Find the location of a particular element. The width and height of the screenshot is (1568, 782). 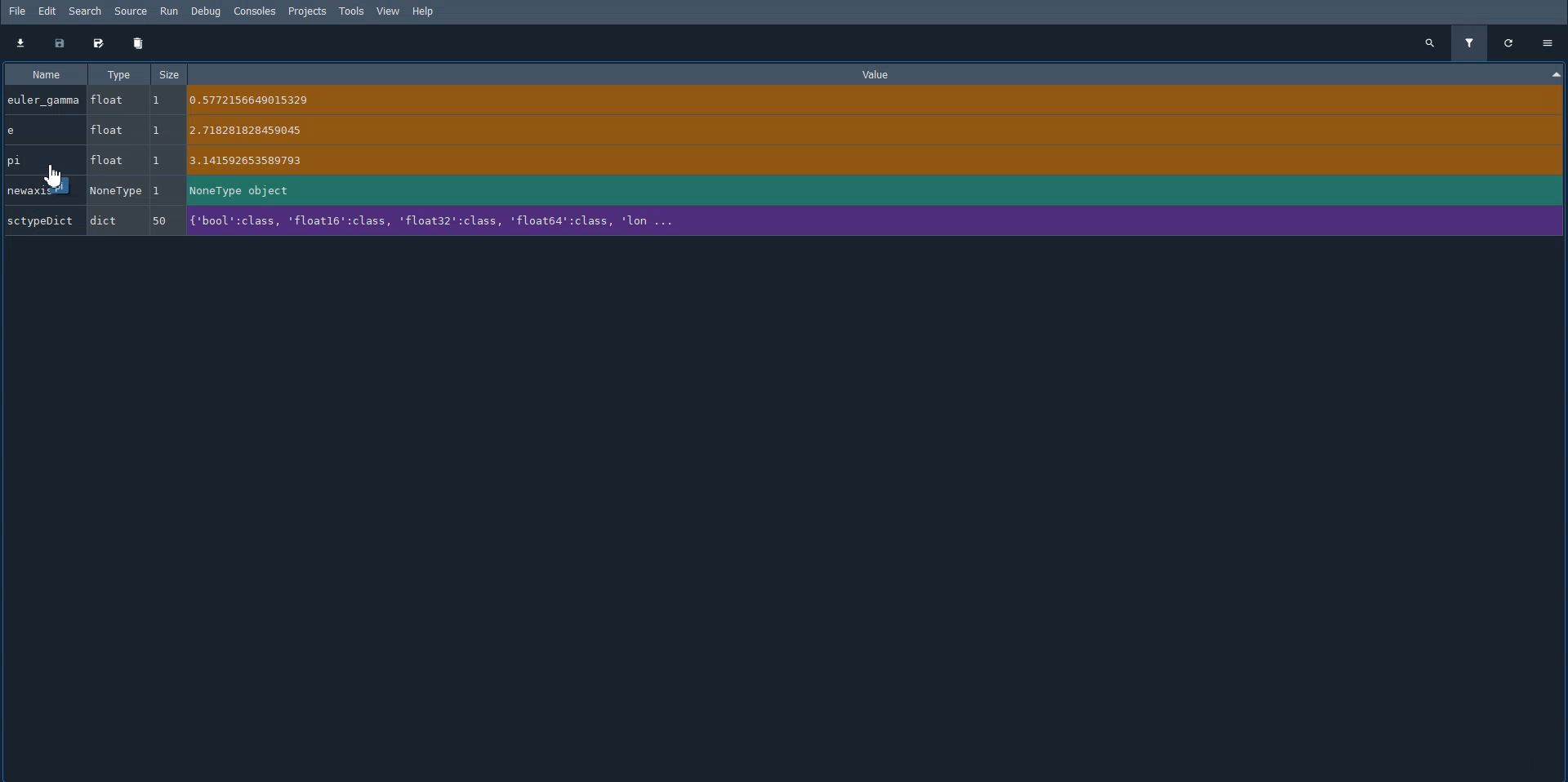

Edit is located at coordinates (51, 11).